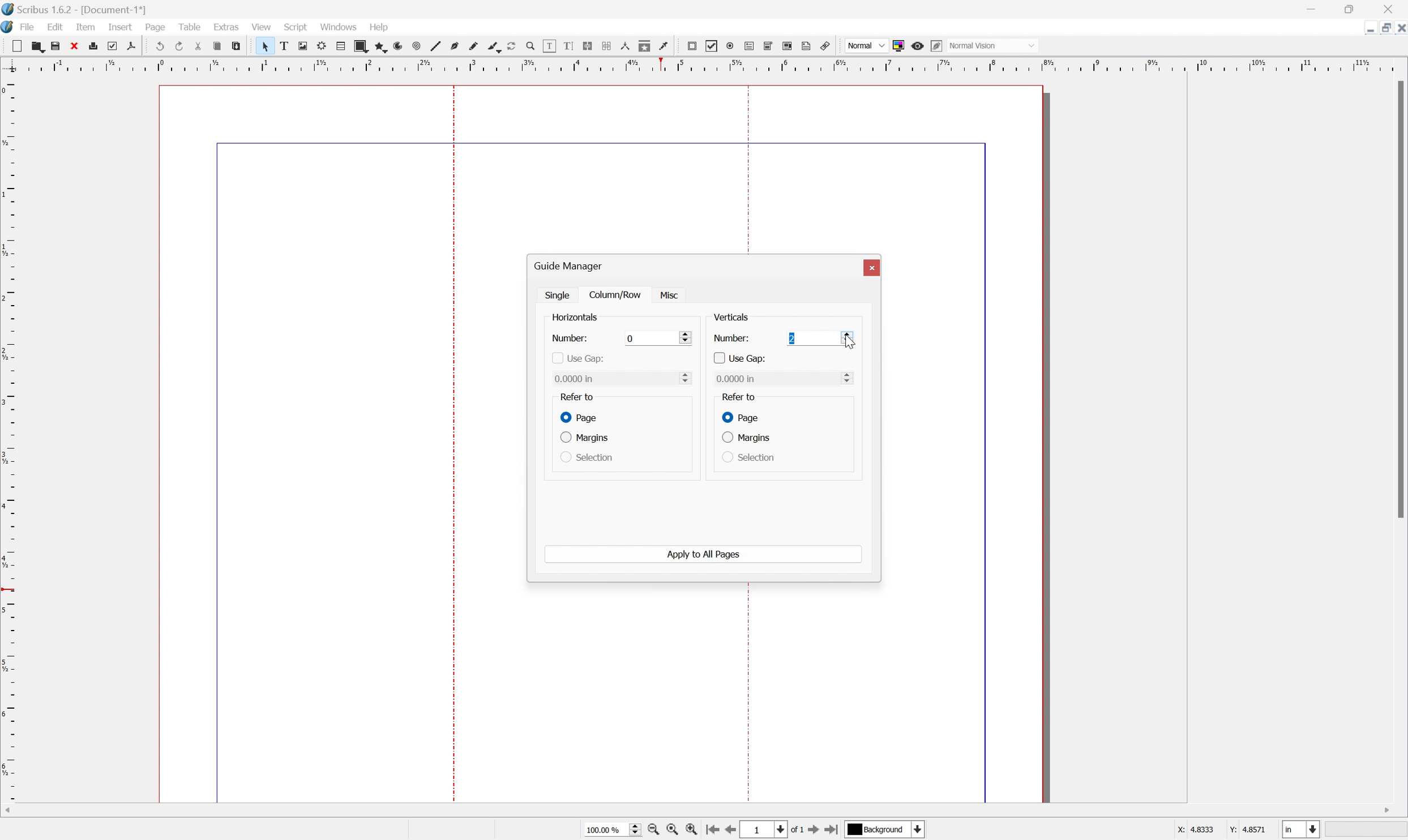  I want to click on margins, so click(587, 439).